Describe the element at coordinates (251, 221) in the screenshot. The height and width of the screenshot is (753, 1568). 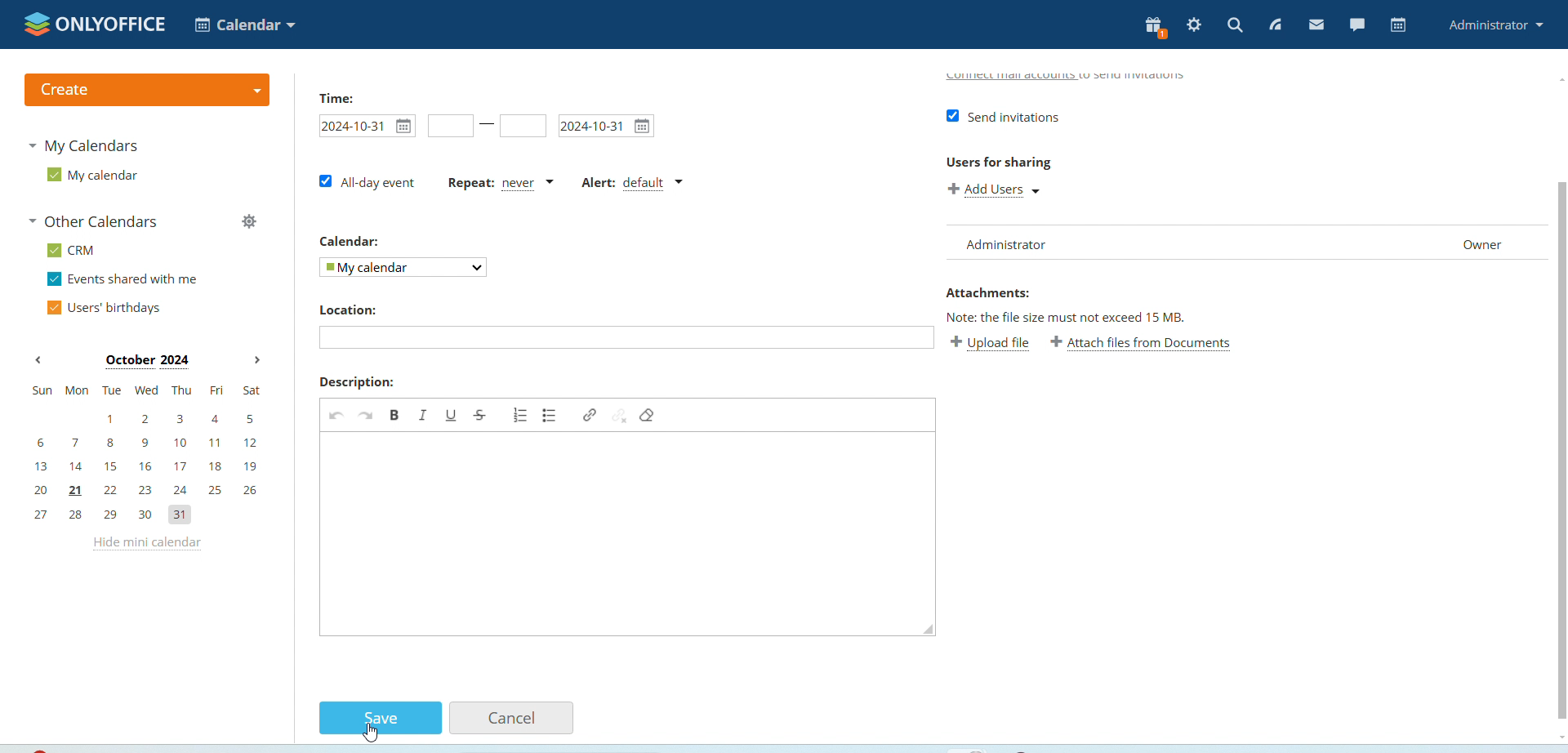
I see `manage` at that location.